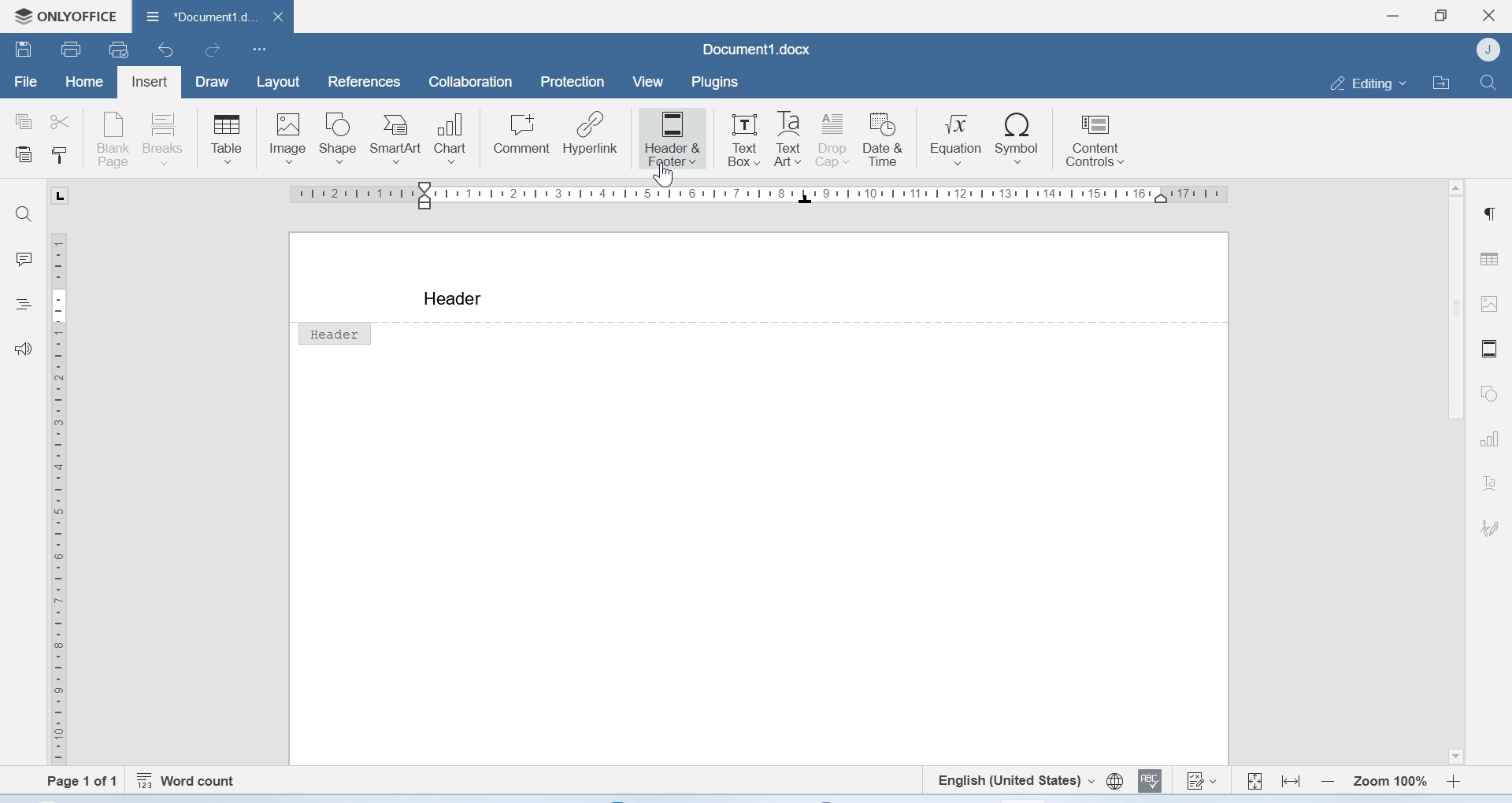  What do you see at coordinates (803, 320) in the screenshot?
I see `header line` at bounding box center [803, 320].